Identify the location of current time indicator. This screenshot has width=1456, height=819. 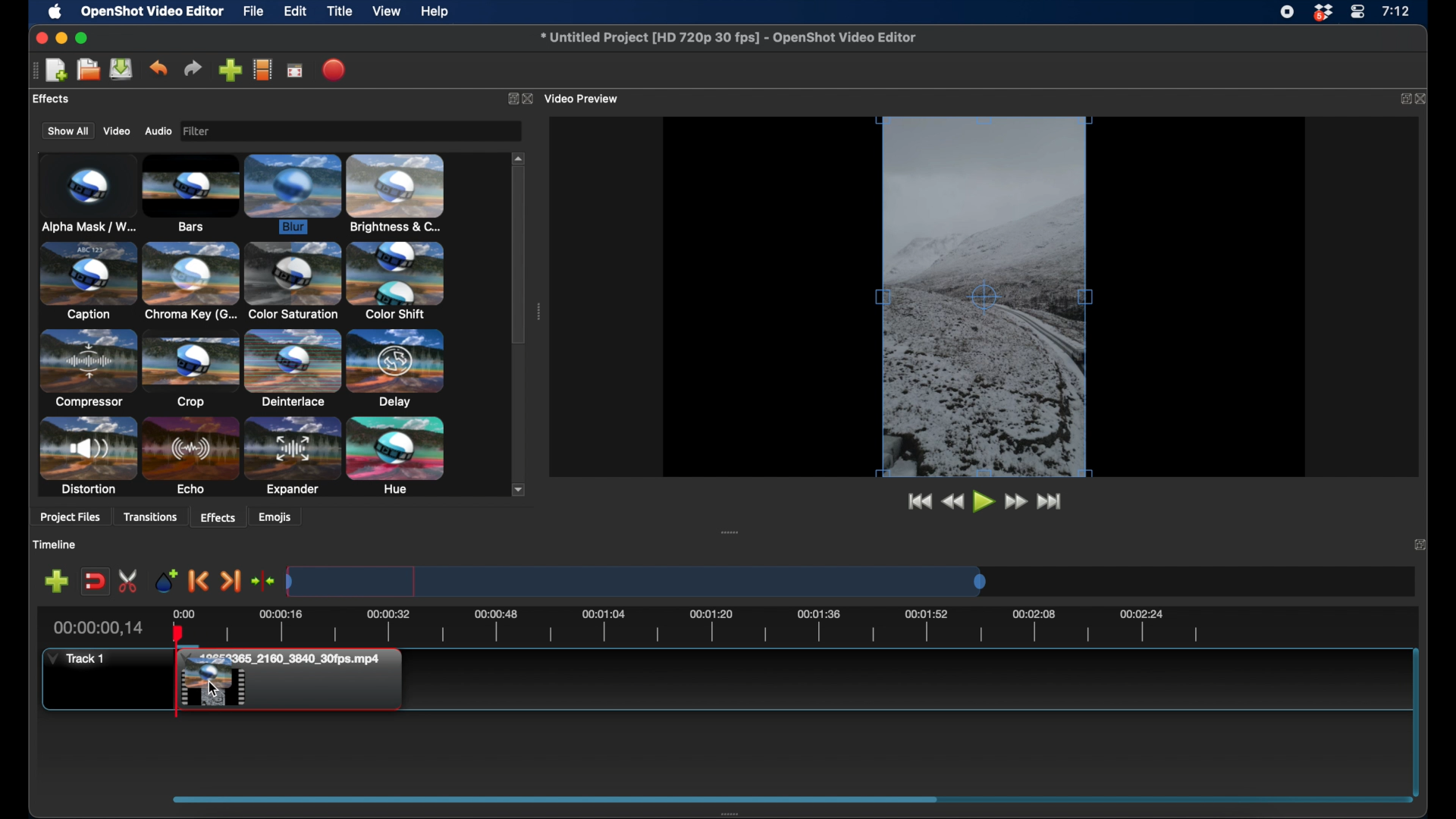
(99, 628).